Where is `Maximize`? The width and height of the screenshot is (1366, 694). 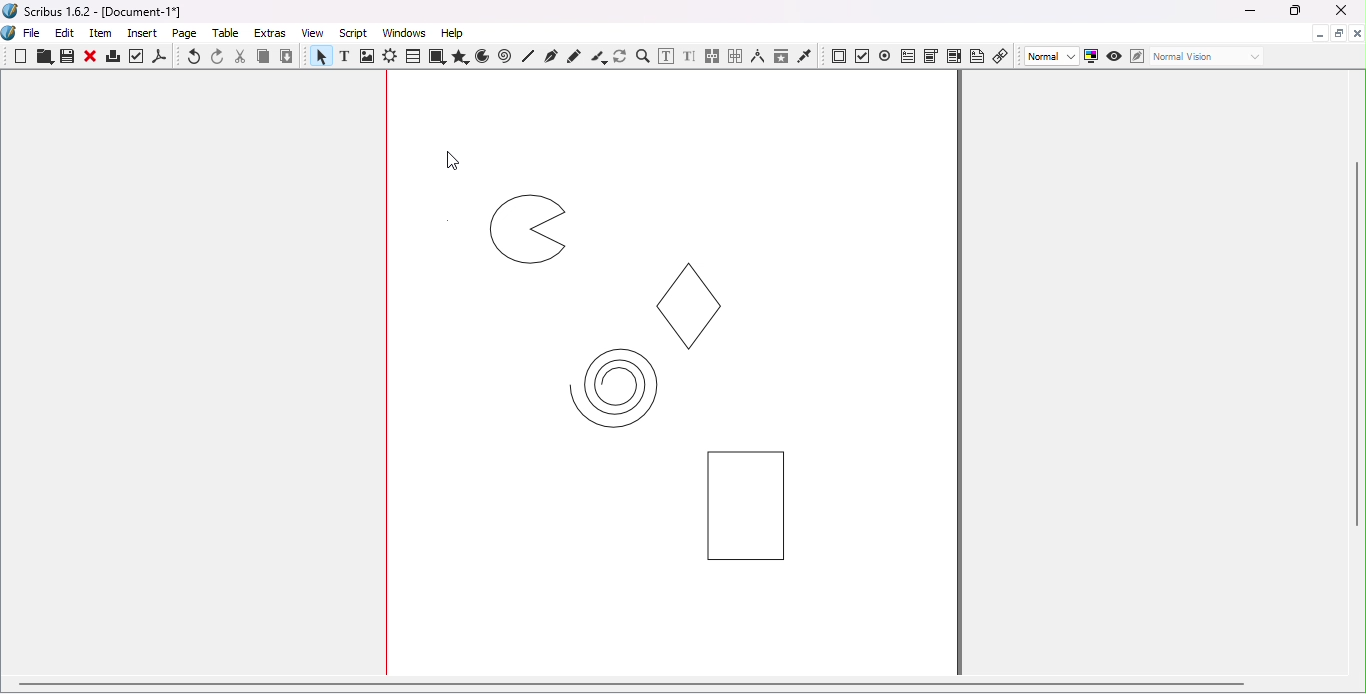 Maximize is located at coordinates (1338, 32).